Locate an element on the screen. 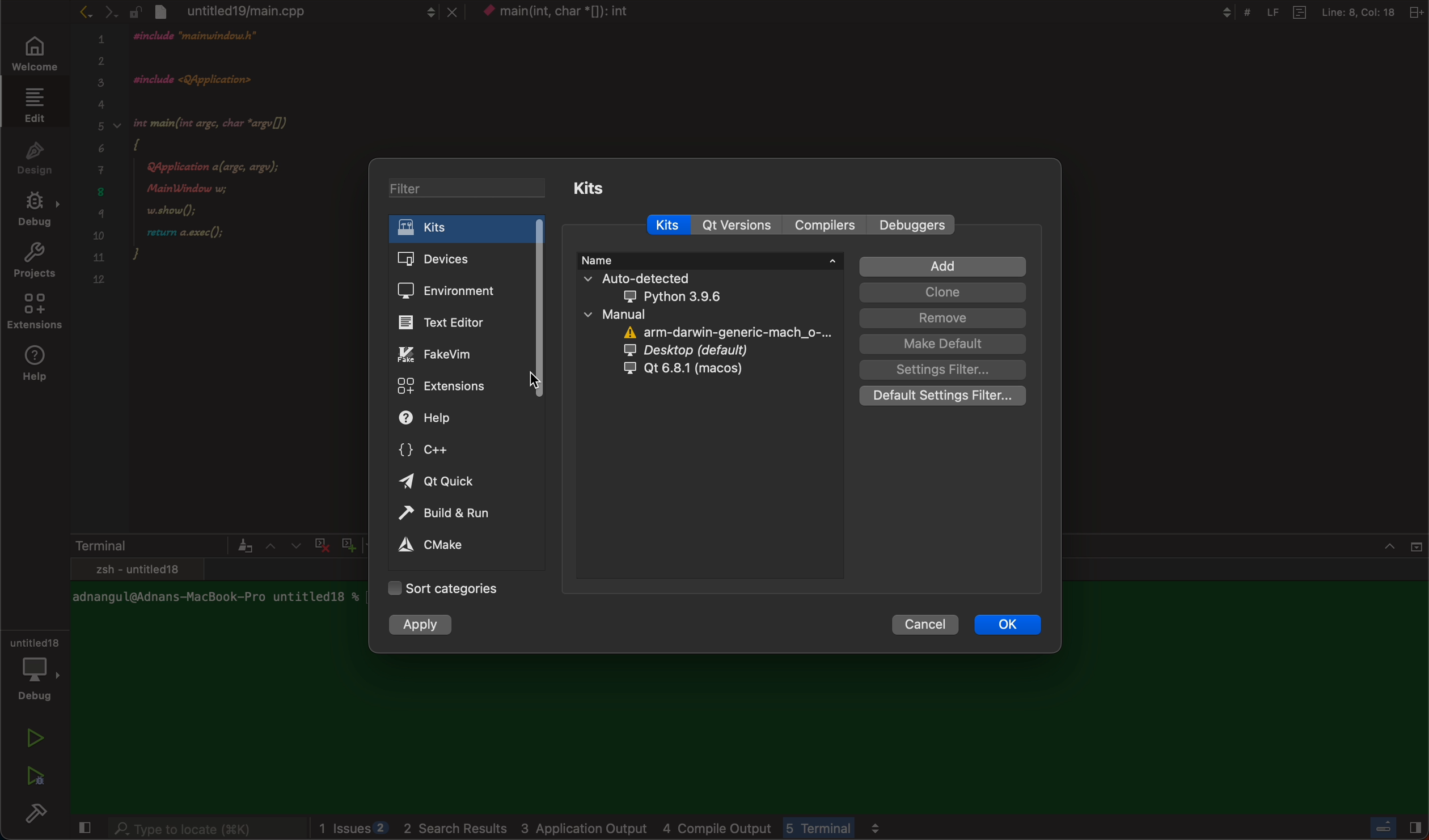 This screenshot has width=1429, height=840. run is located at coordinates (36, 738).